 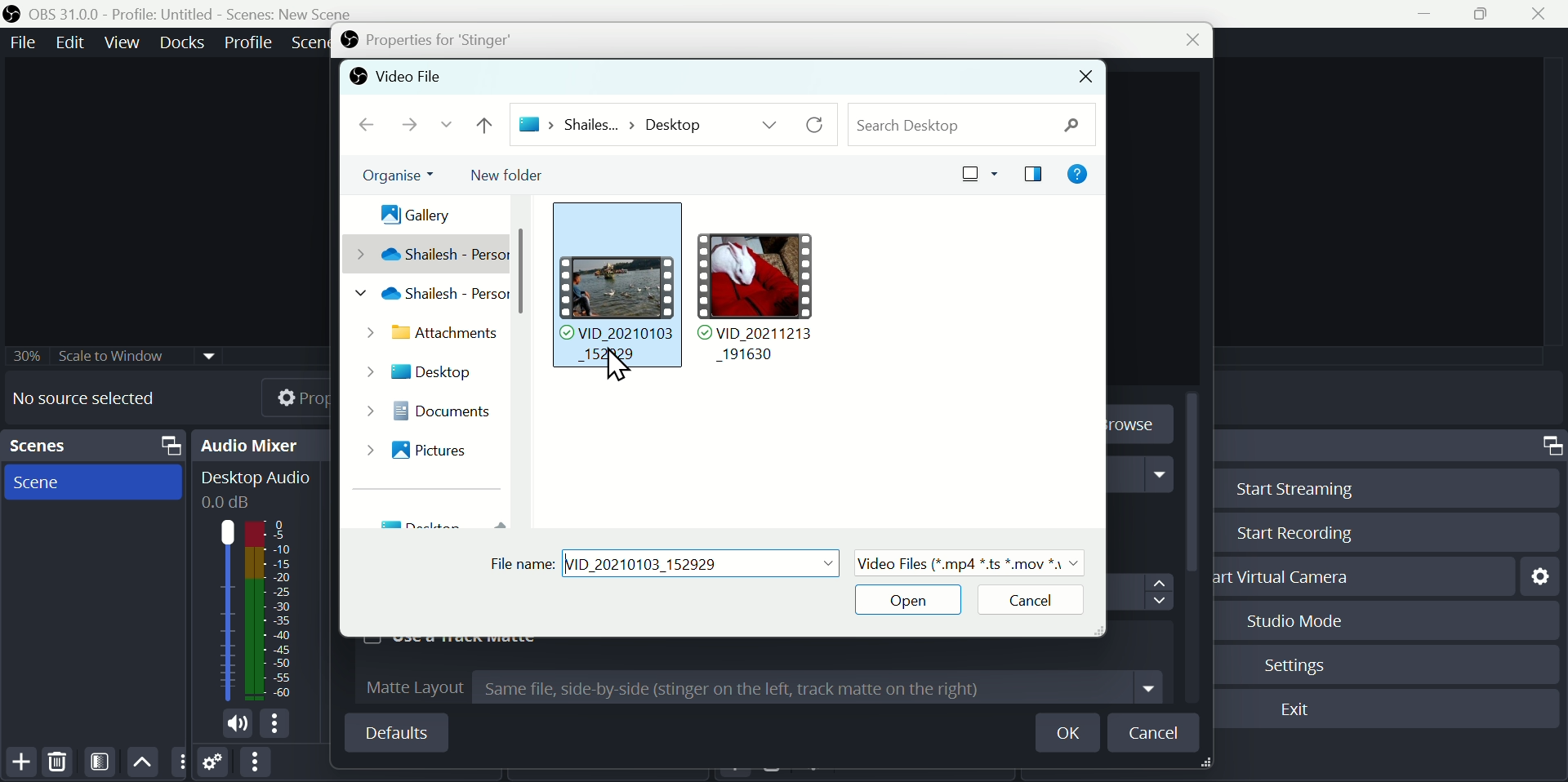 What do you see at coordinates (764, 687) in the screenshot?
I see `Matte Layout` at bounding box center [764, 687].